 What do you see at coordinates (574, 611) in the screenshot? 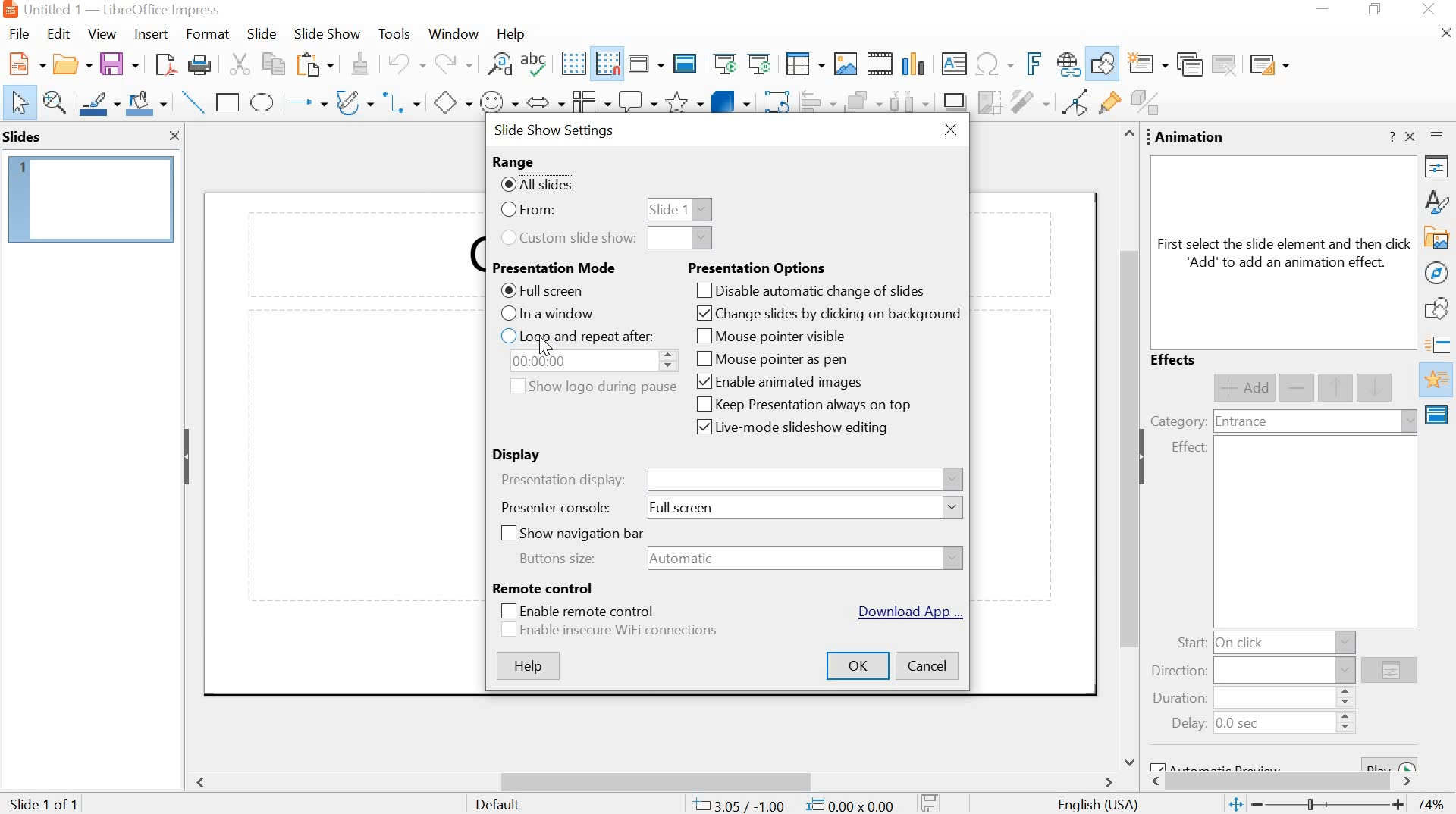
I see `enable remote control` at bounding box center [574, 611].